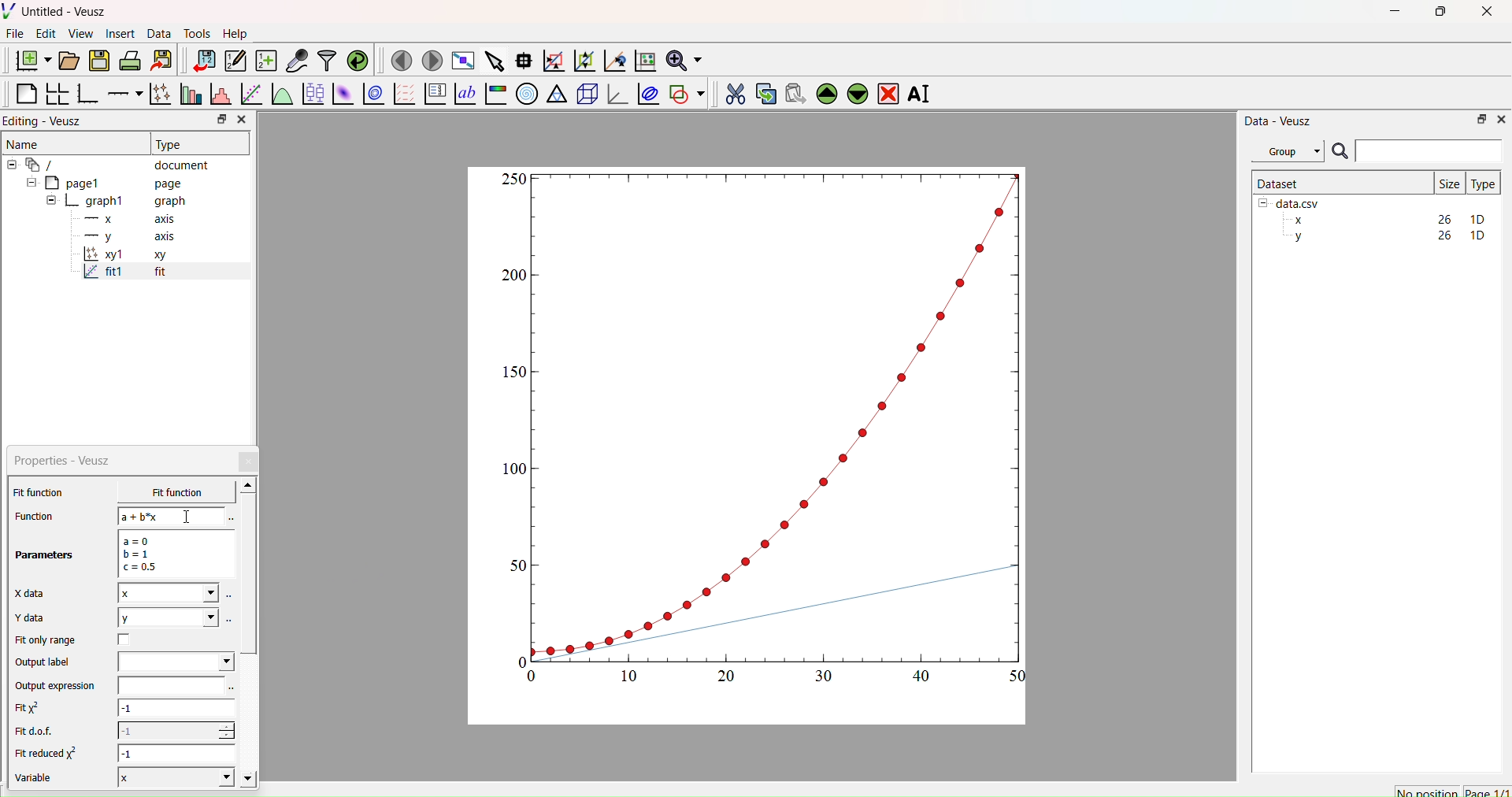 Image resolution: width=1512 pixels, height=797 pixels. Describe the element at coordinates (233, 61) in the screenshot. I see `Edit or enter new dataset` at that location.